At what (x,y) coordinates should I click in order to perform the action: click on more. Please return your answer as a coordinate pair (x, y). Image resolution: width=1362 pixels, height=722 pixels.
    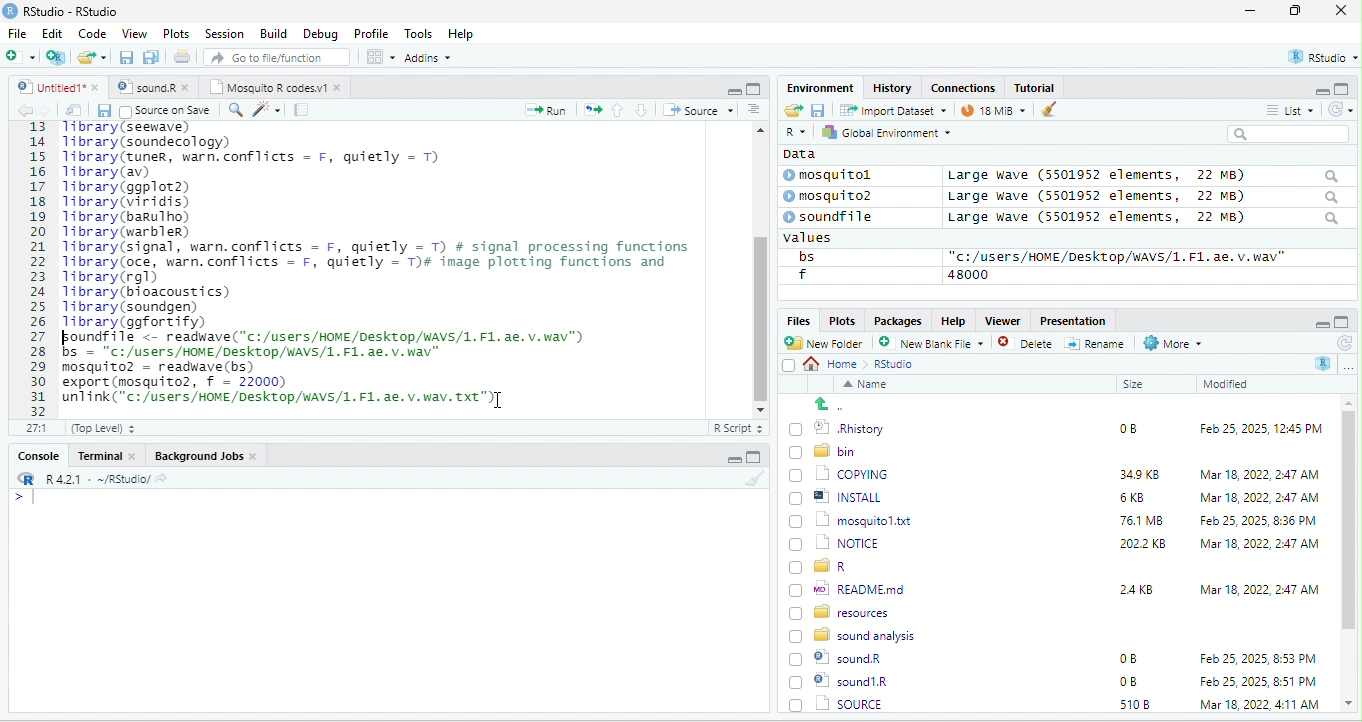
    Looking at the image, I should click on (1348, 366).